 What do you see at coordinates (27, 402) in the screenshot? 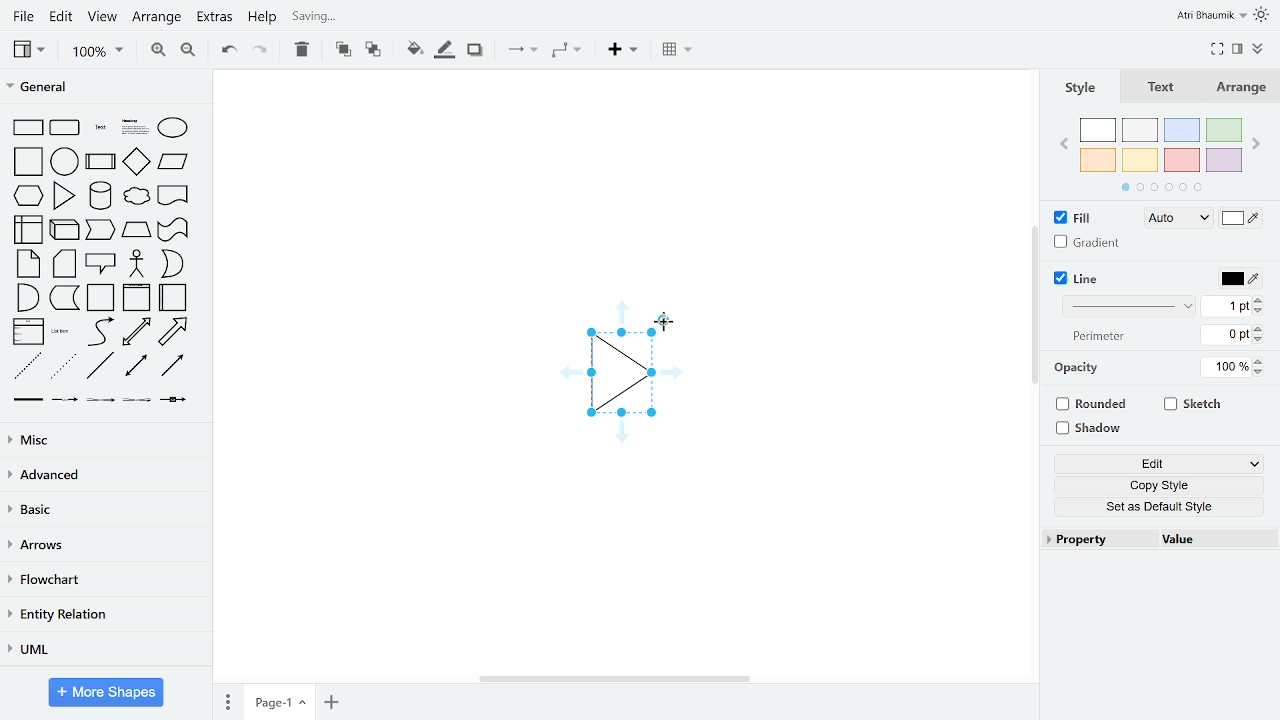
I see `link` at bounding box center [27, 402].